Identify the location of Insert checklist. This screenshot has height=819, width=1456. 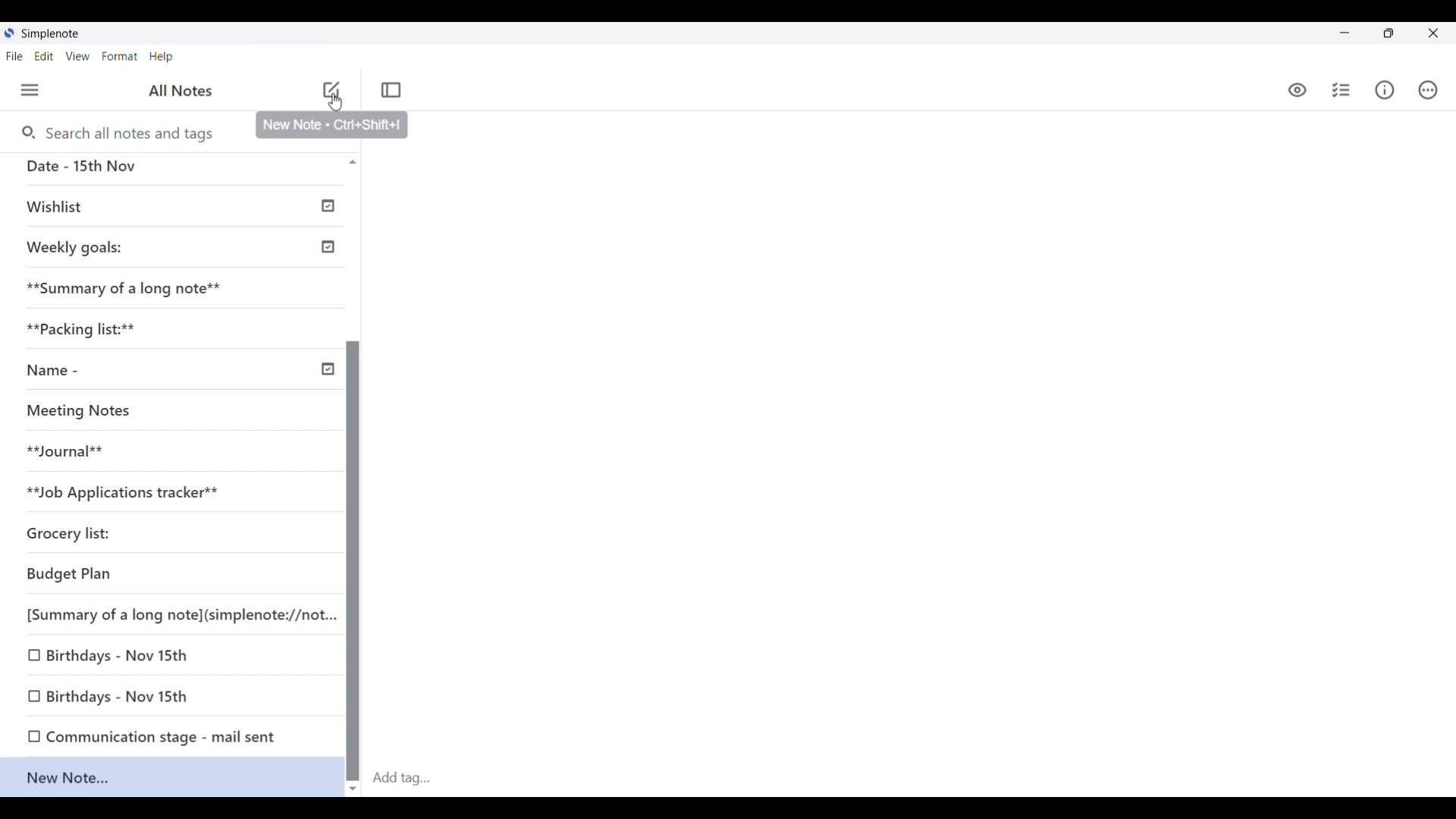
(1341, 90).